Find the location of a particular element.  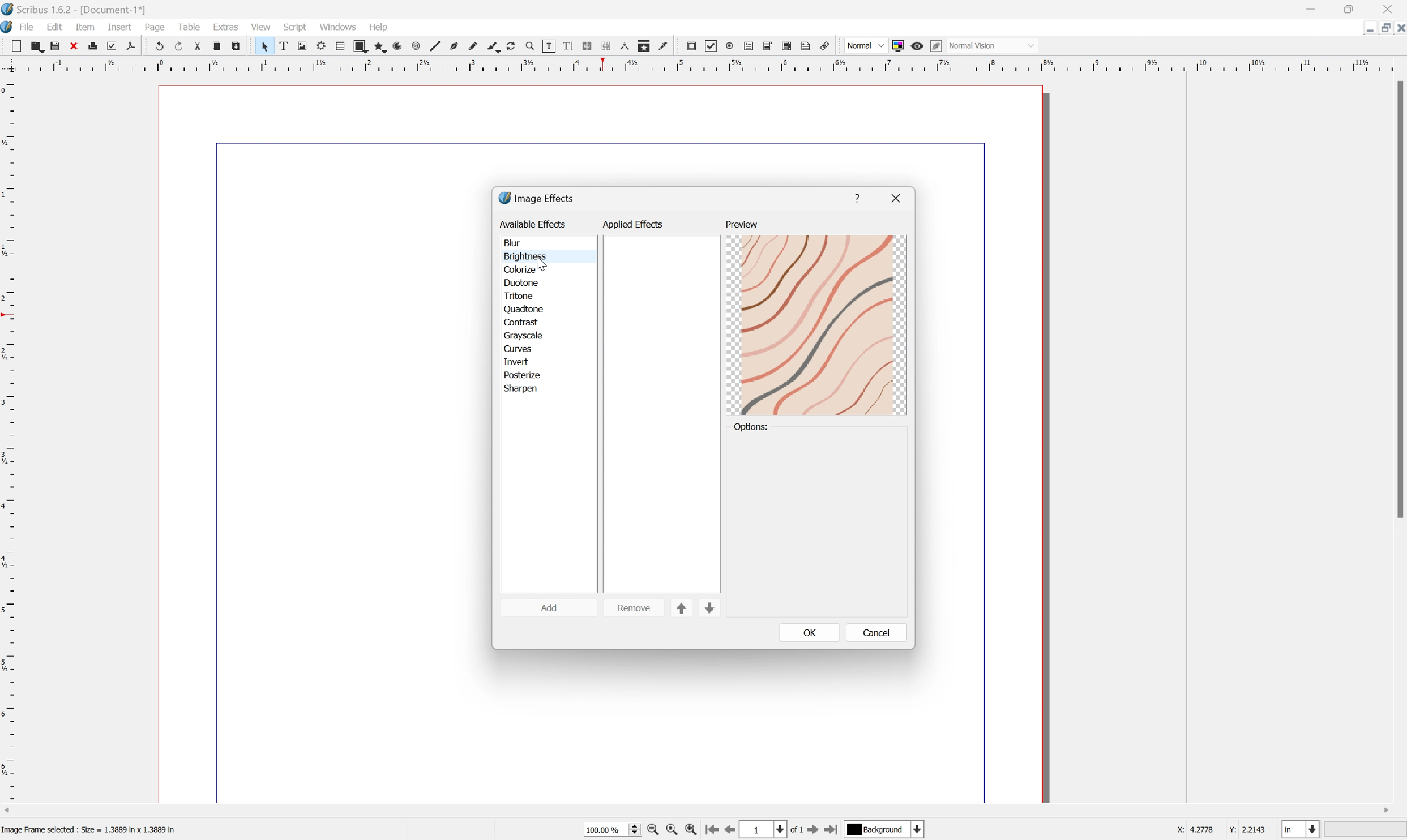

Edit contents of frame is located at coordinates (551, 47).